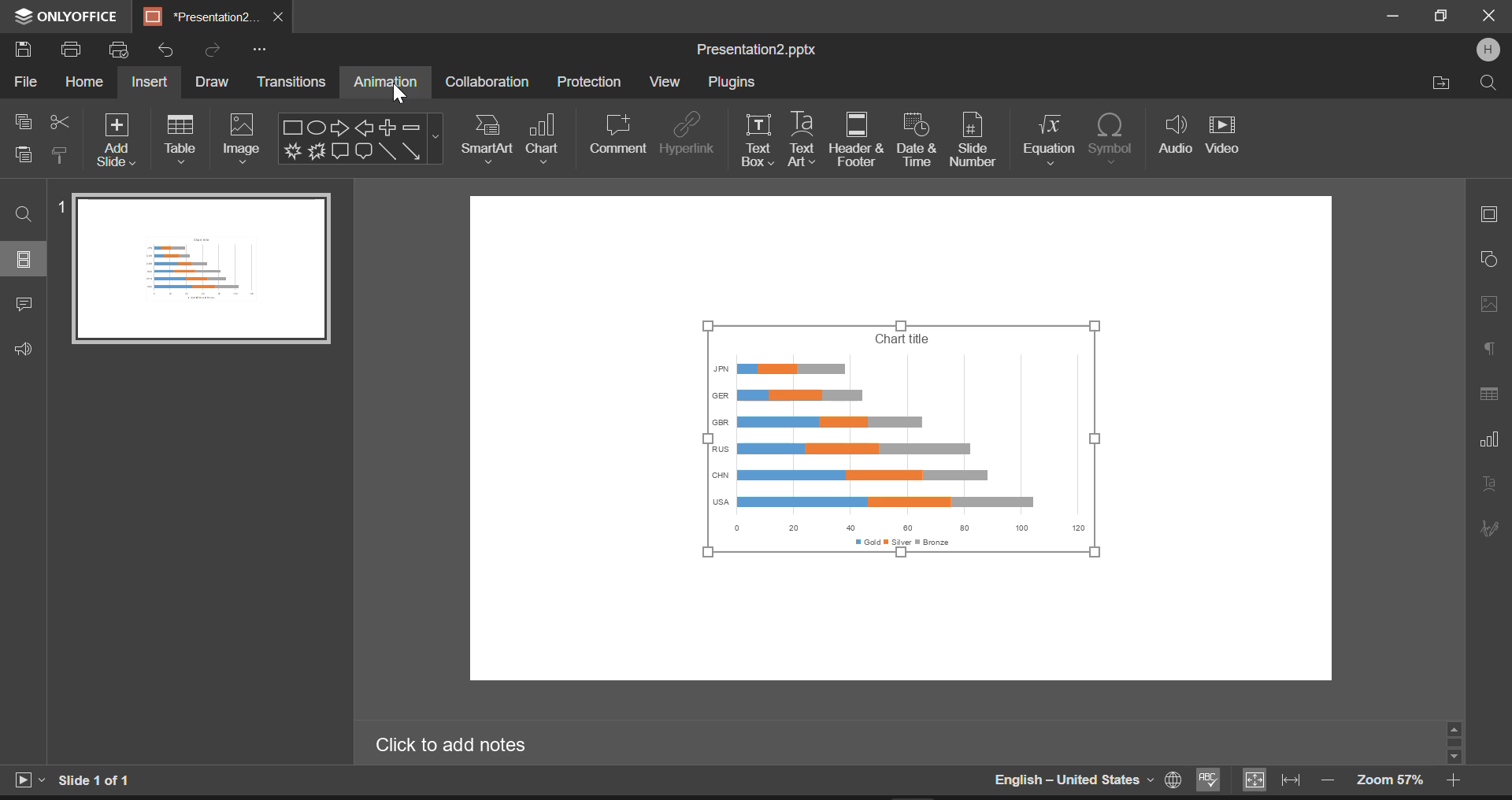 The height and width of the screenshot is (800, 1512). I want to click on Slide Numer, so click(975, 138).